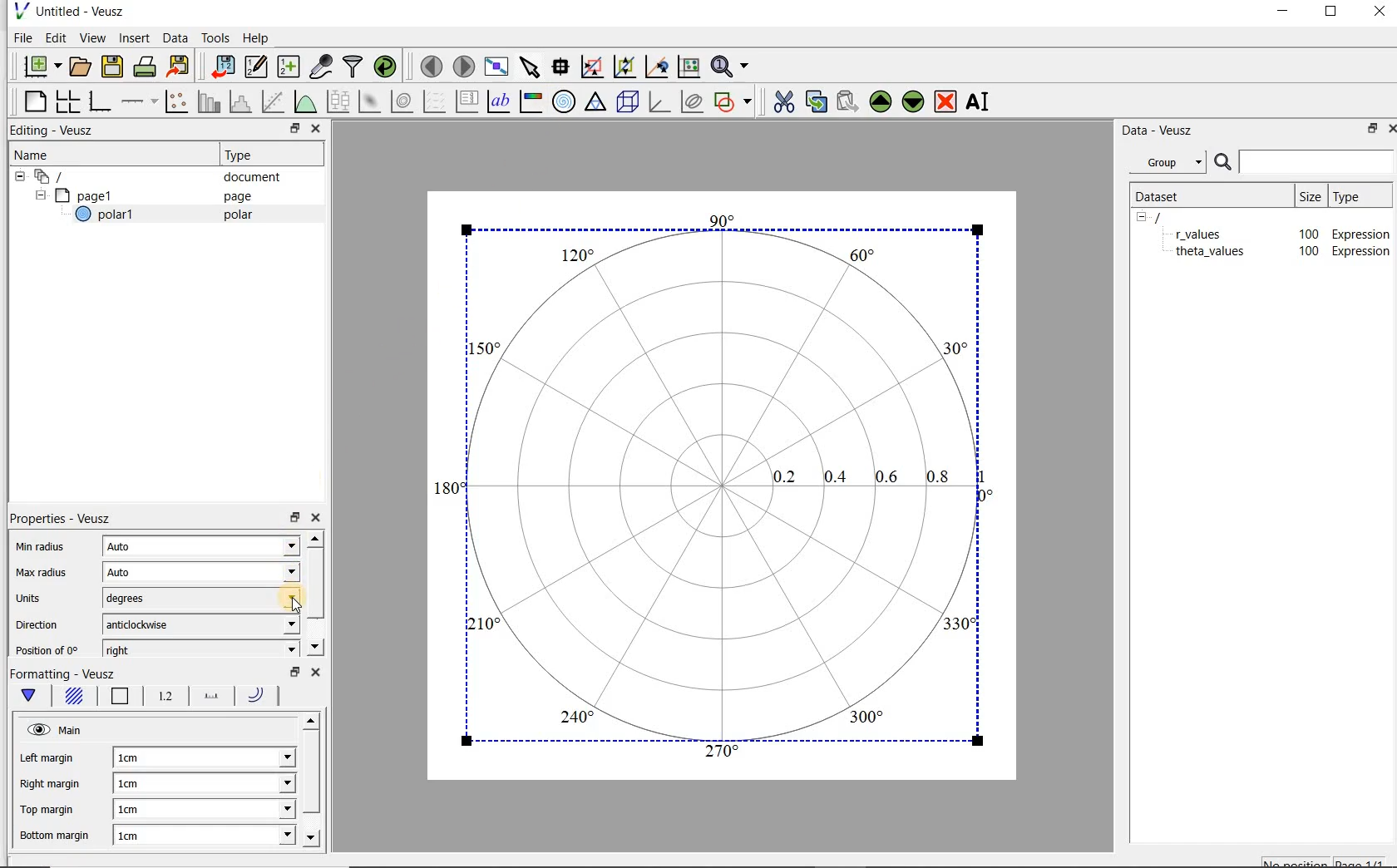  I want to click on close, so click(314, 673).